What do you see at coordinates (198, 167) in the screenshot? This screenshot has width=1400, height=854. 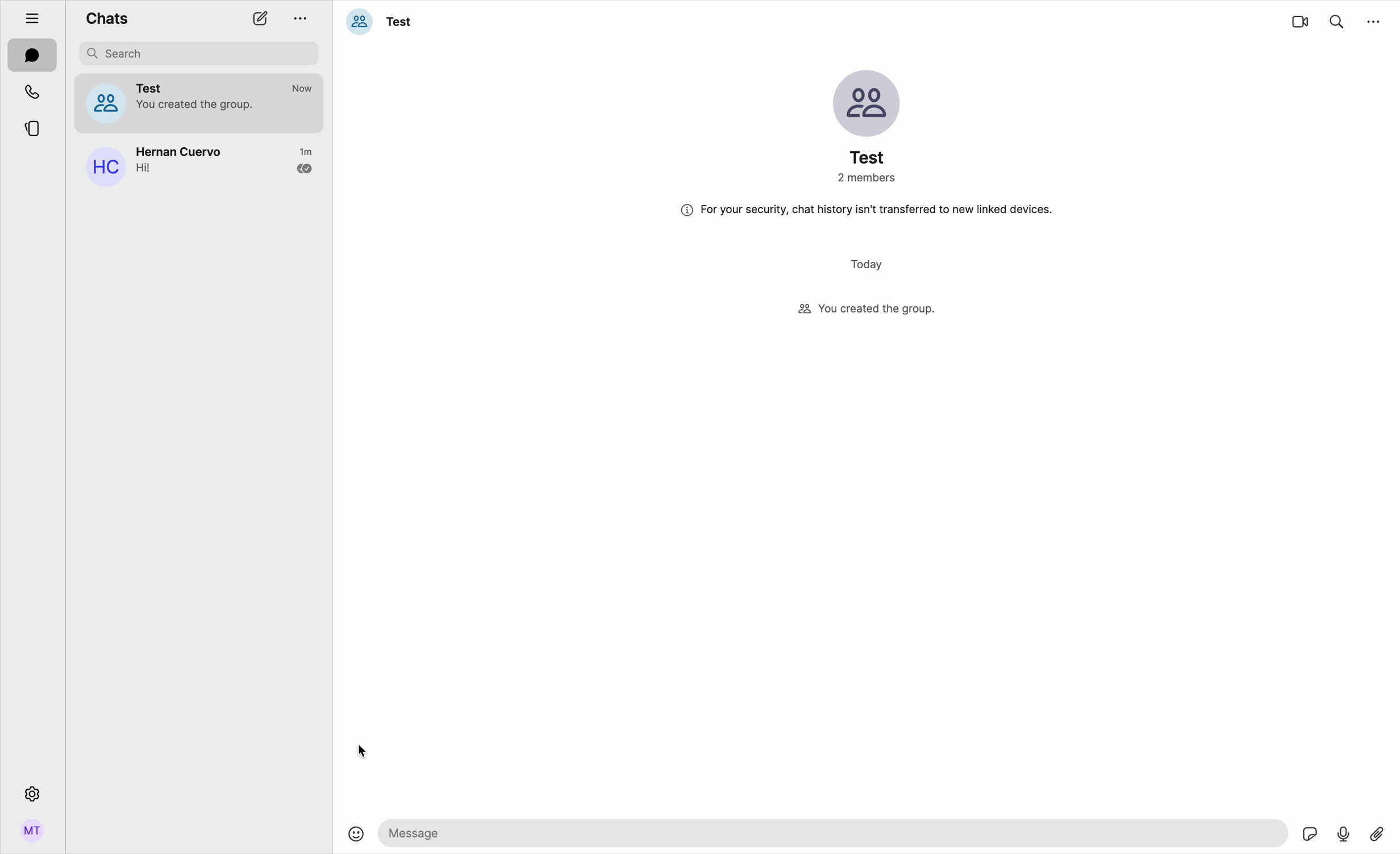 I see `Hernan Cuervo's chat` at bounding box center [198, 167].